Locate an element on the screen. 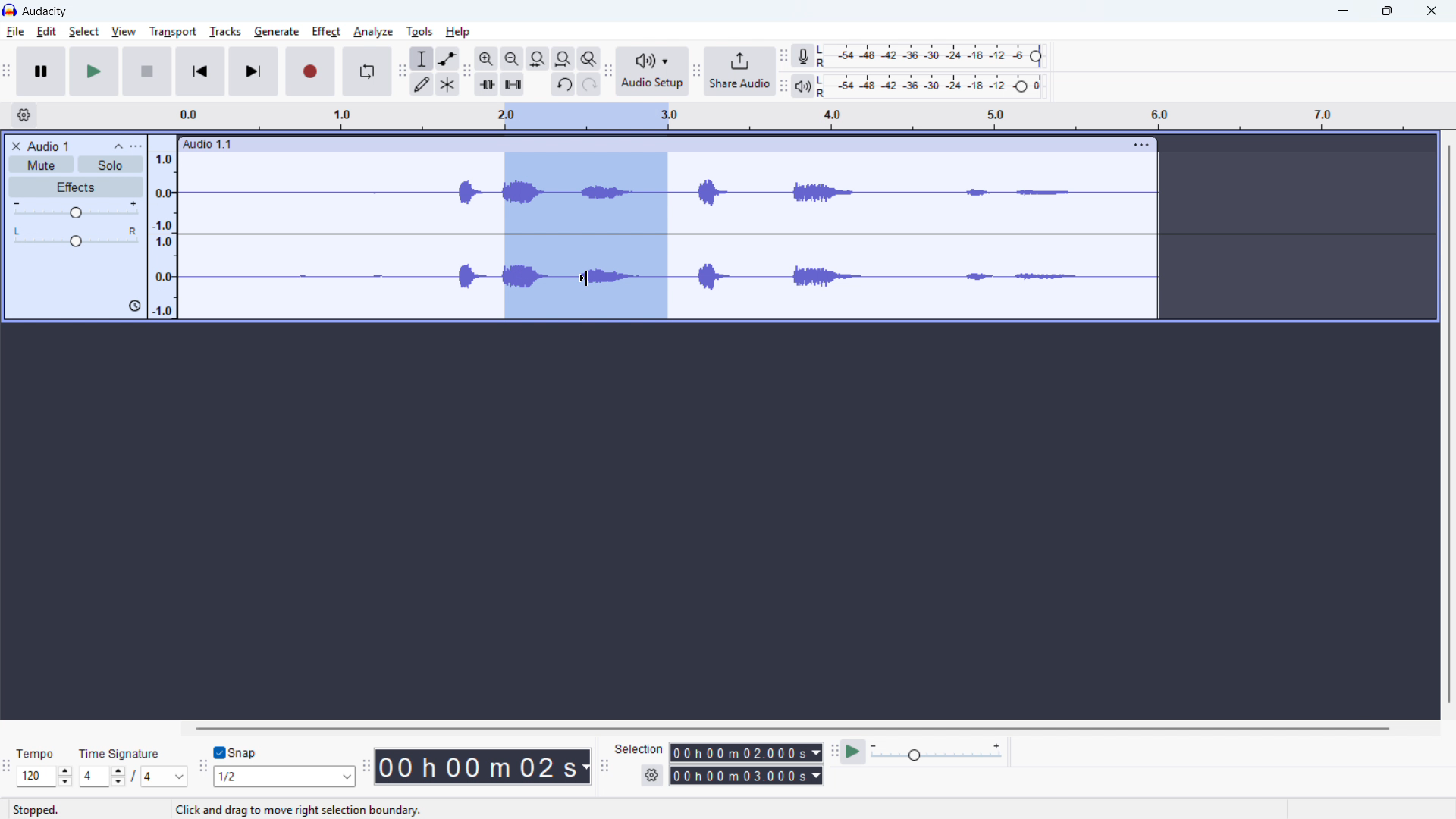  Click and drag to move right selection boundary. is located at coordinates (299, 810).